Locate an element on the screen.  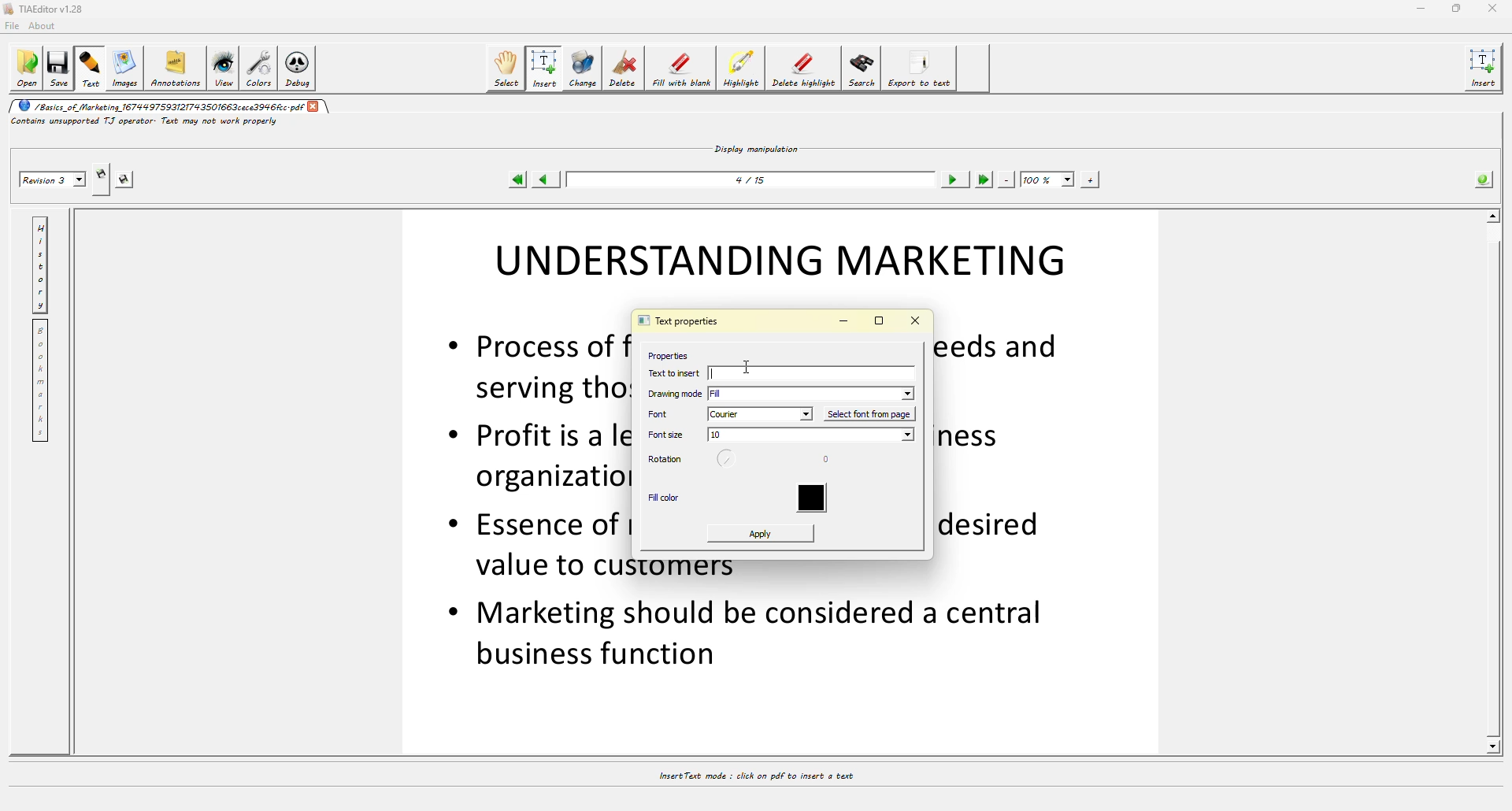
size is located at coordinates (810, 436).